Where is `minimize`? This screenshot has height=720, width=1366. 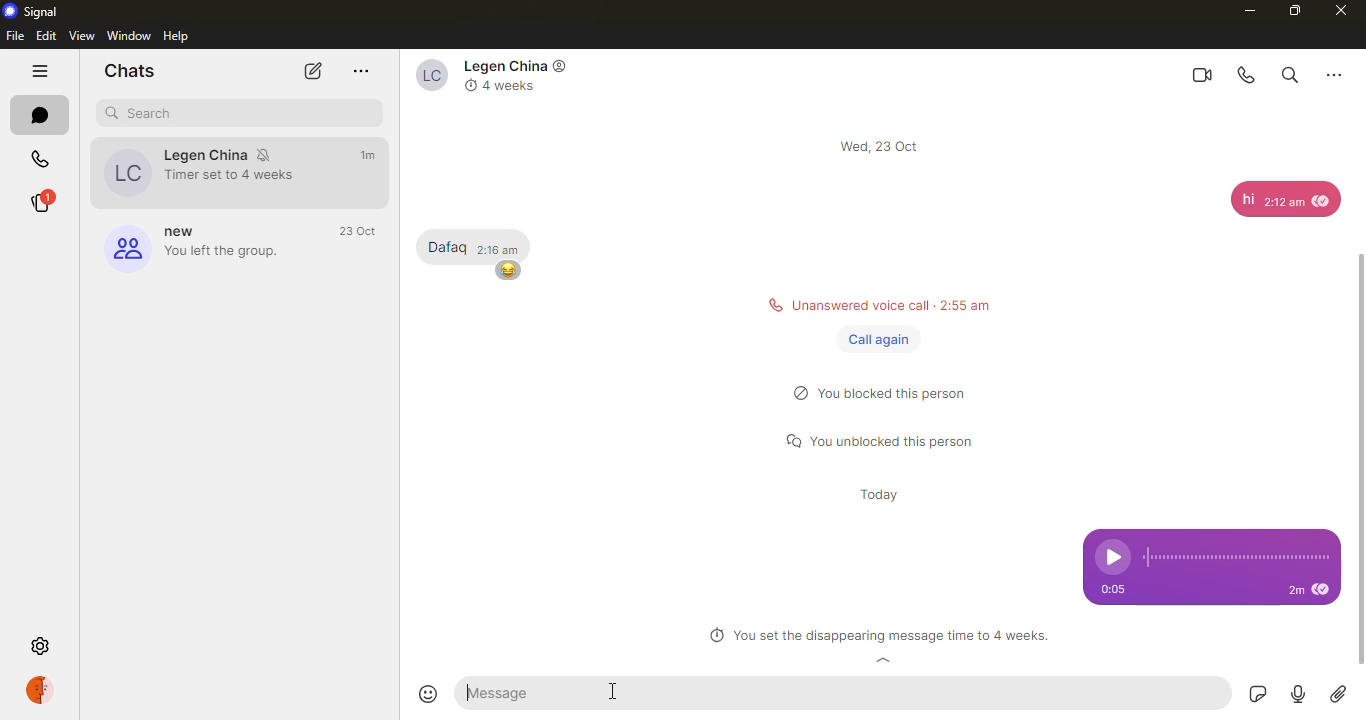 minimize is located at coordinates (1244, 10).